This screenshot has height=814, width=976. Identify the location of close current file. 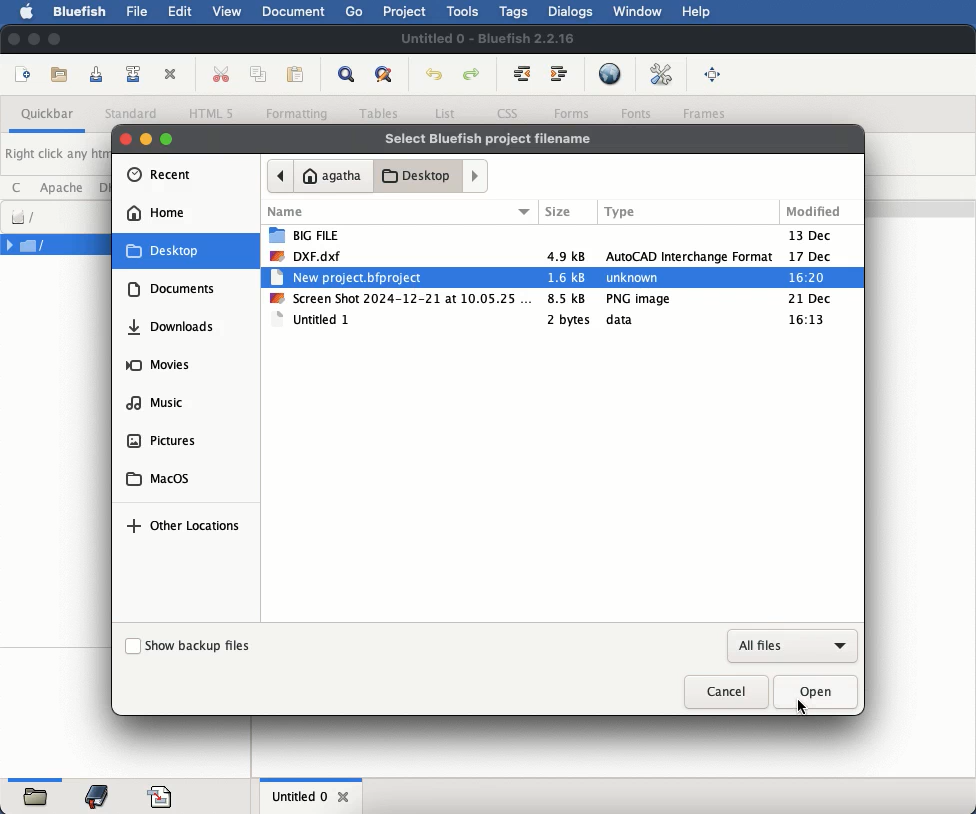
(172, 75).